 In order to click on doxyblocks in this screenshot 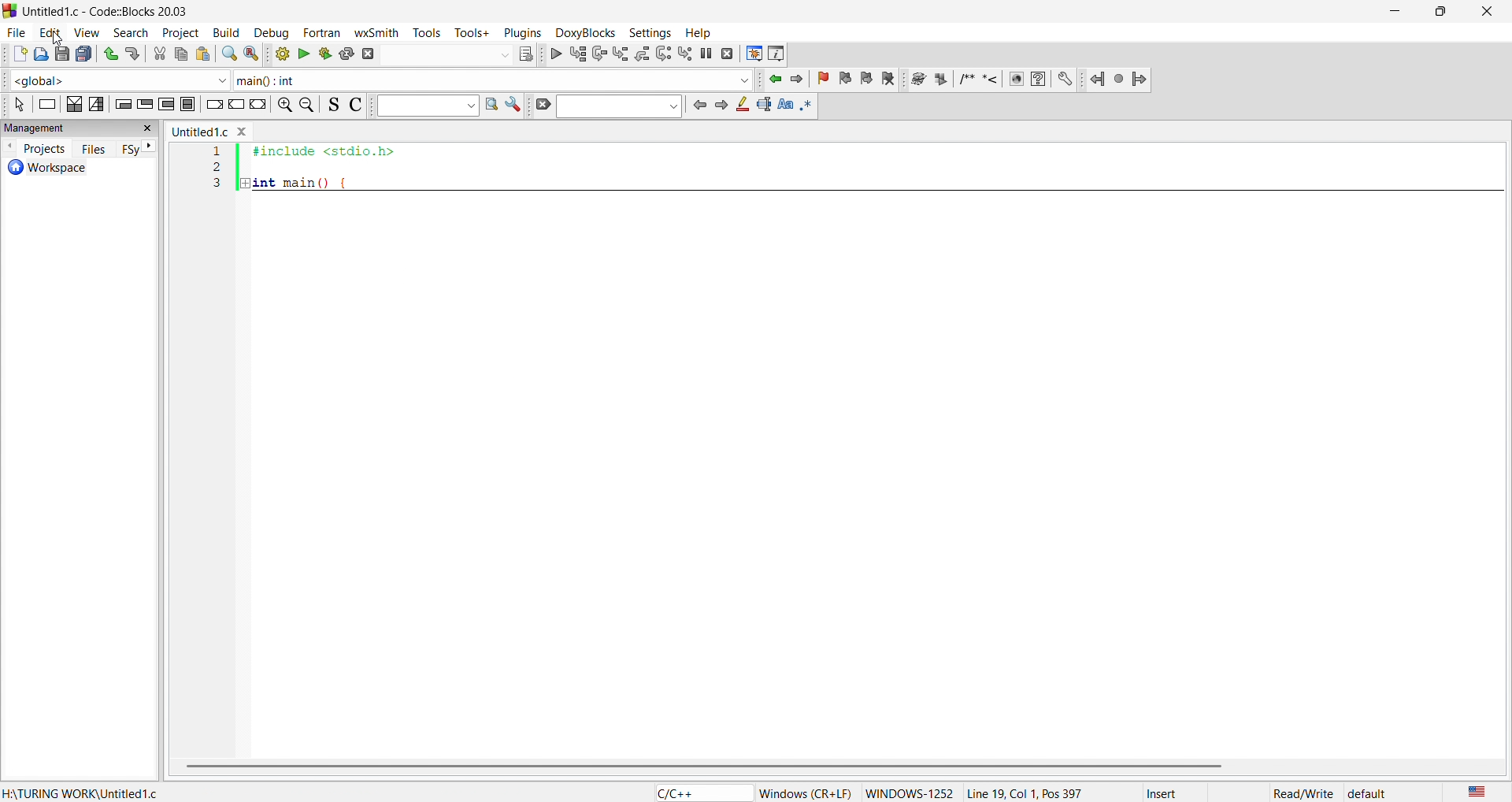, I will do `click(583, 31)`.